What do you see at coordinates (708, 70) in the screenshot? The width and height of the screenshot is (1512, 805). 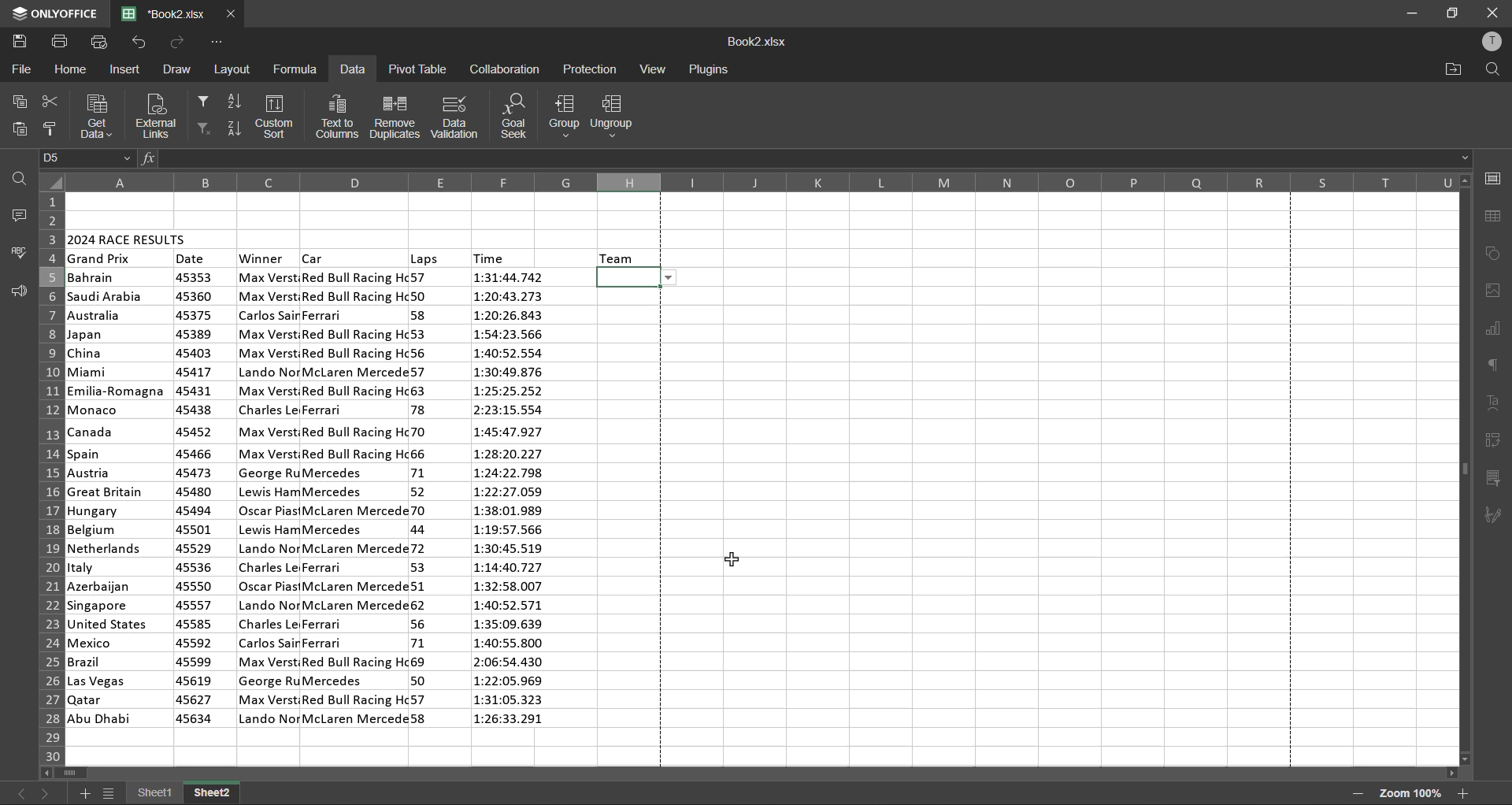 I see `plugins` at bounding box center [708, 70].